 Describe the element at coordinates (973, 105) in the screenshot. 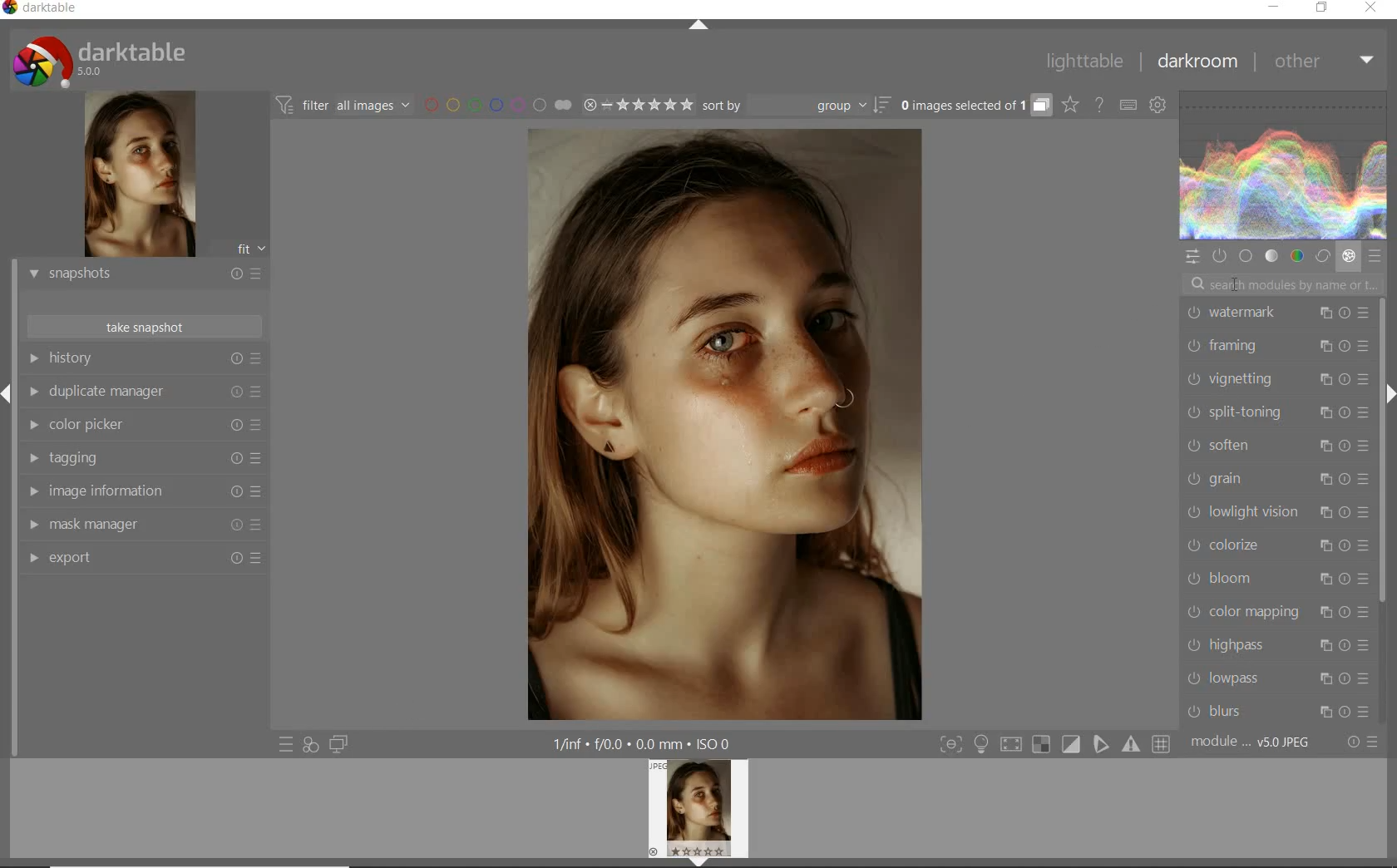

I see `expand grouped images` at that location.